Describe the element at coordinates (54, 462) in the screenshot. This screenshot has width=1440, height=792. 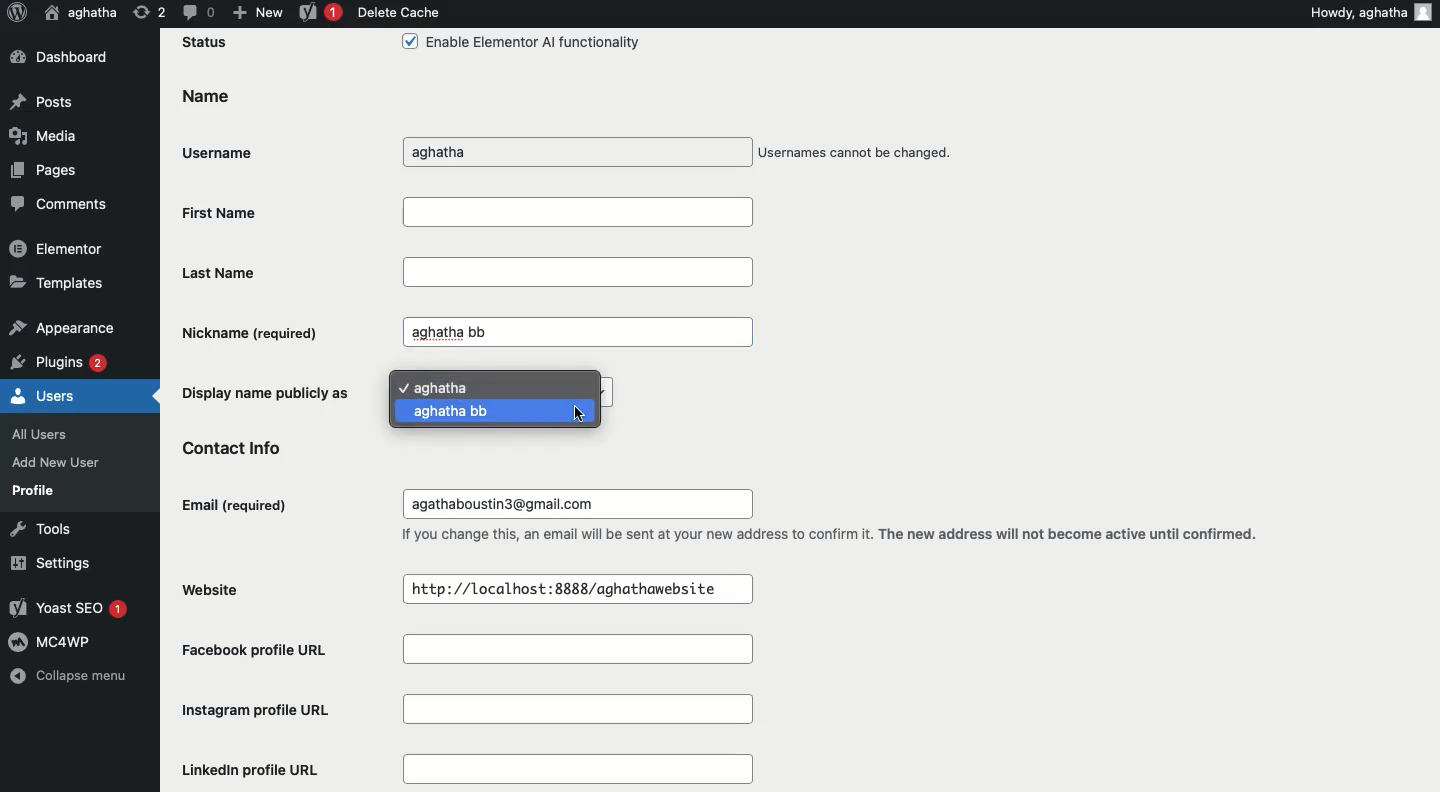
I see `Add New User` at that location.